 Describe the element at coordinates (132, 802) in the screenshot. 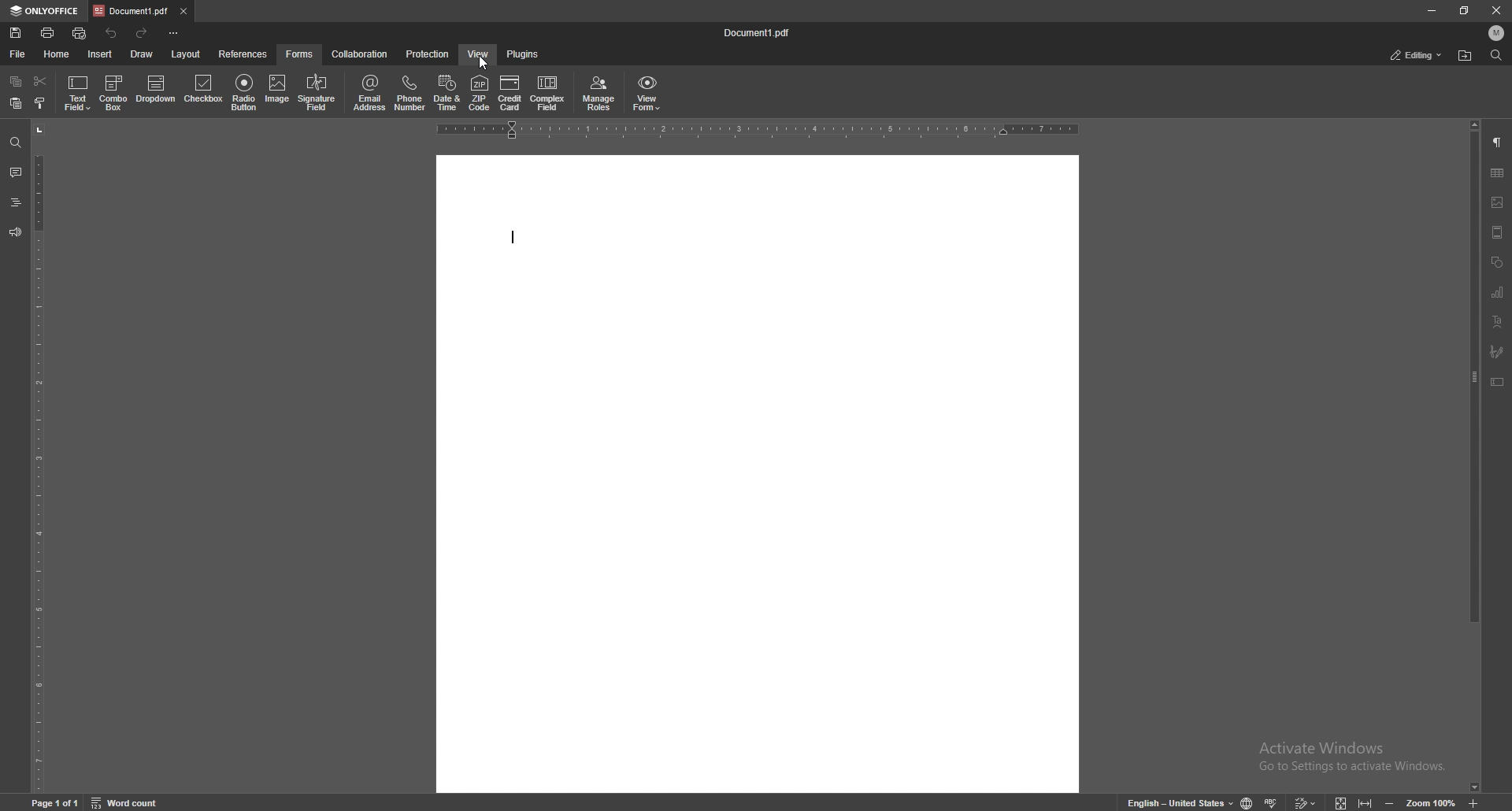

I see `word count` at that location.